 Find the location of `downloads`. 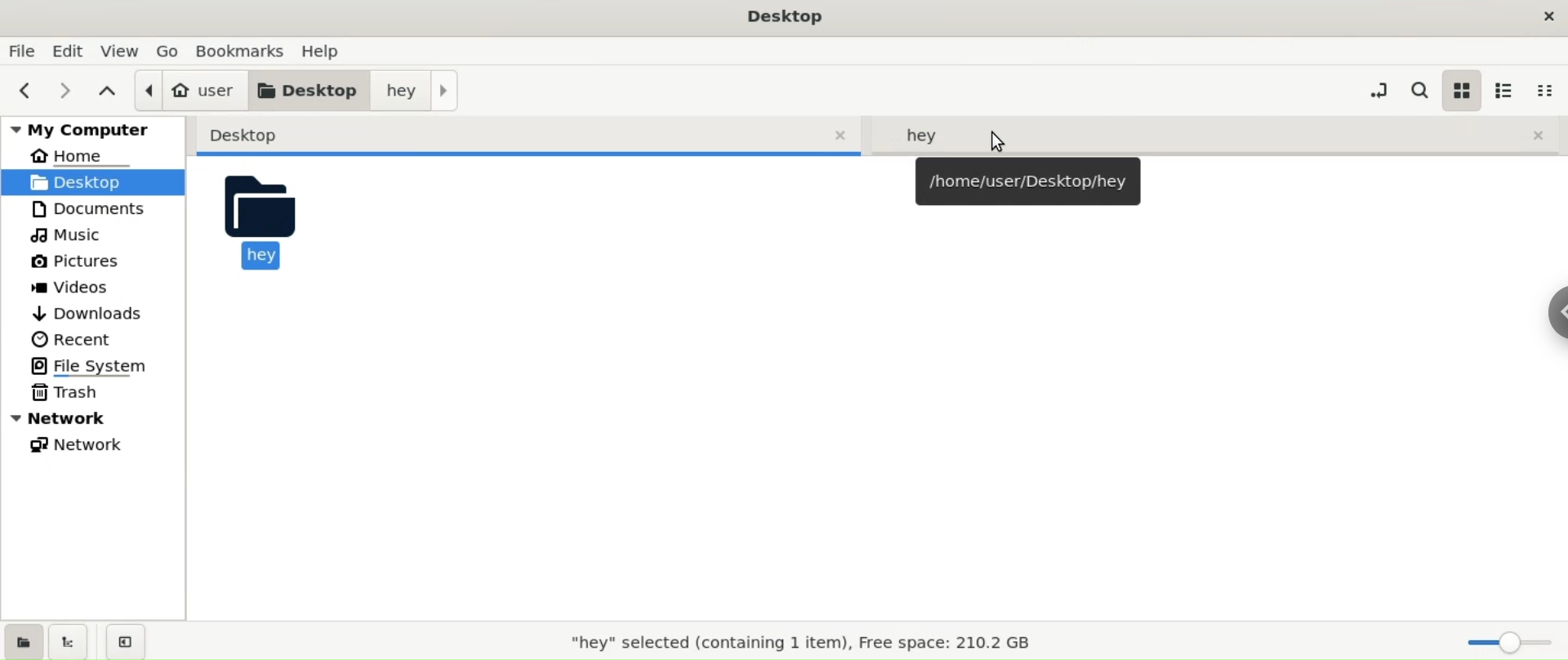

downloads is located at coordinates (96, 313).